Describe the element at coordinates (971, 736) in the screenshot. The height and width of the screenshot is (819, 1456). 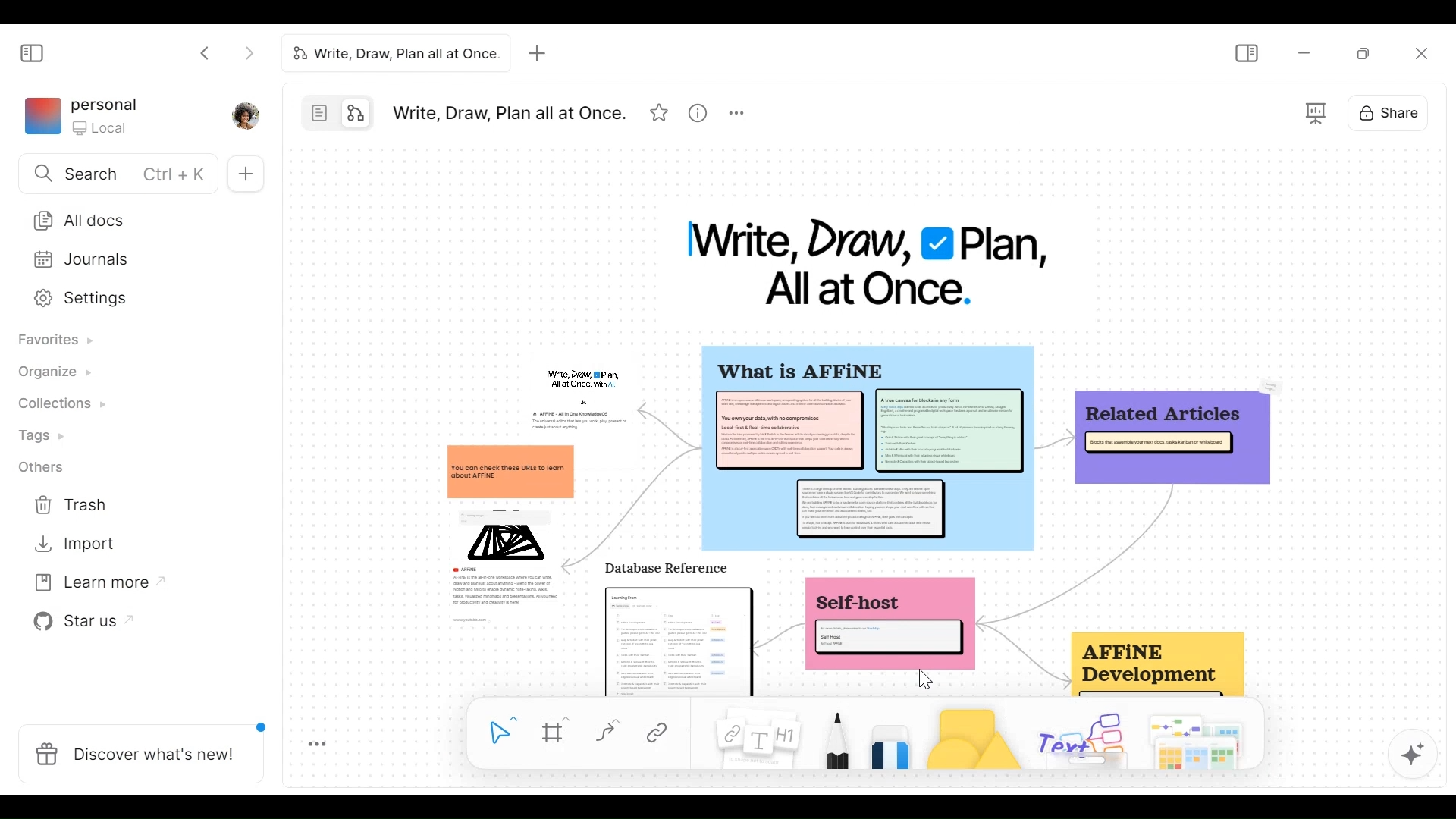
I see `Shapes` at that location.